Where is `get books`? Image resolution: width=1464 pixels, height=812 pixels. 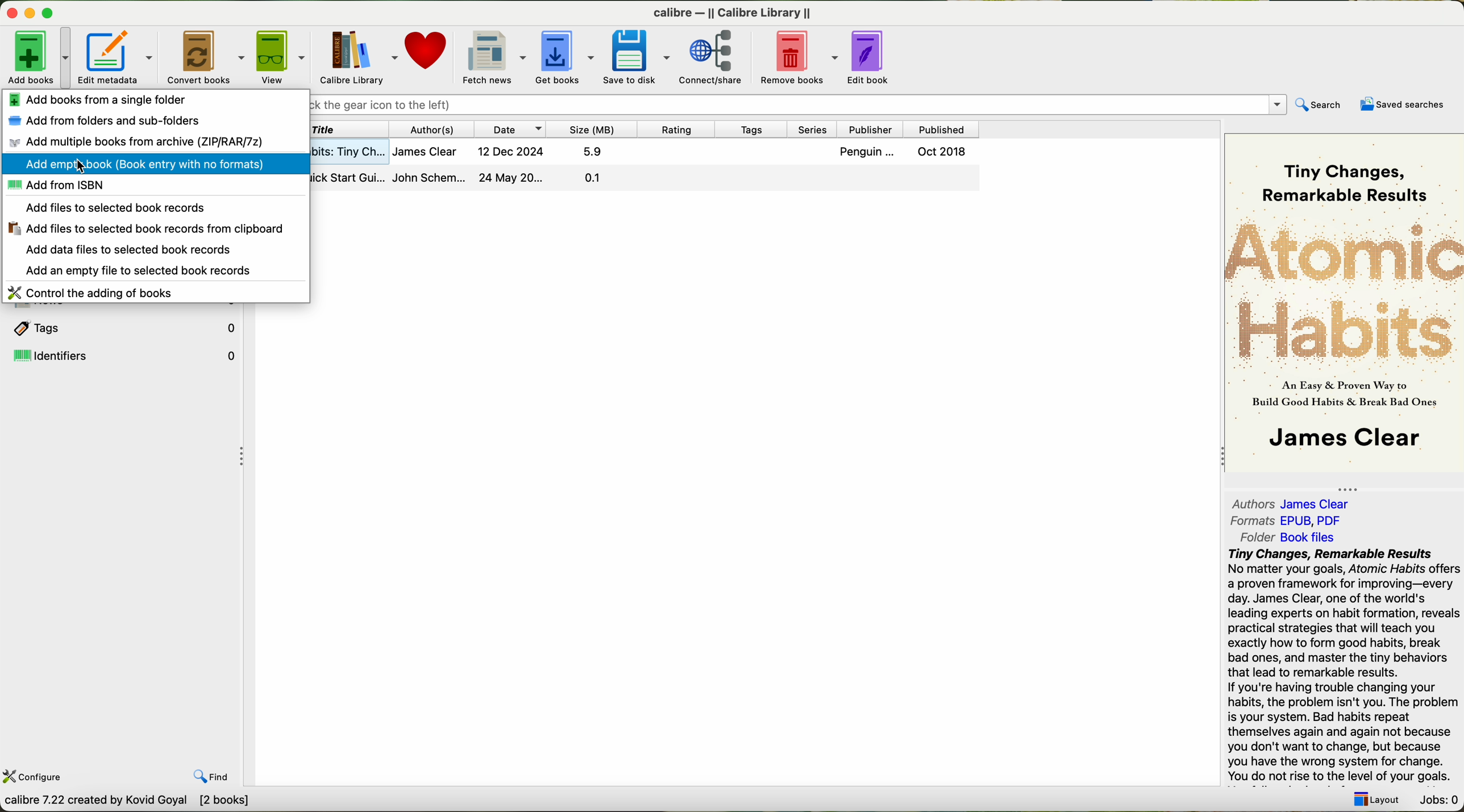
get books is located at coordinates (563, 57).